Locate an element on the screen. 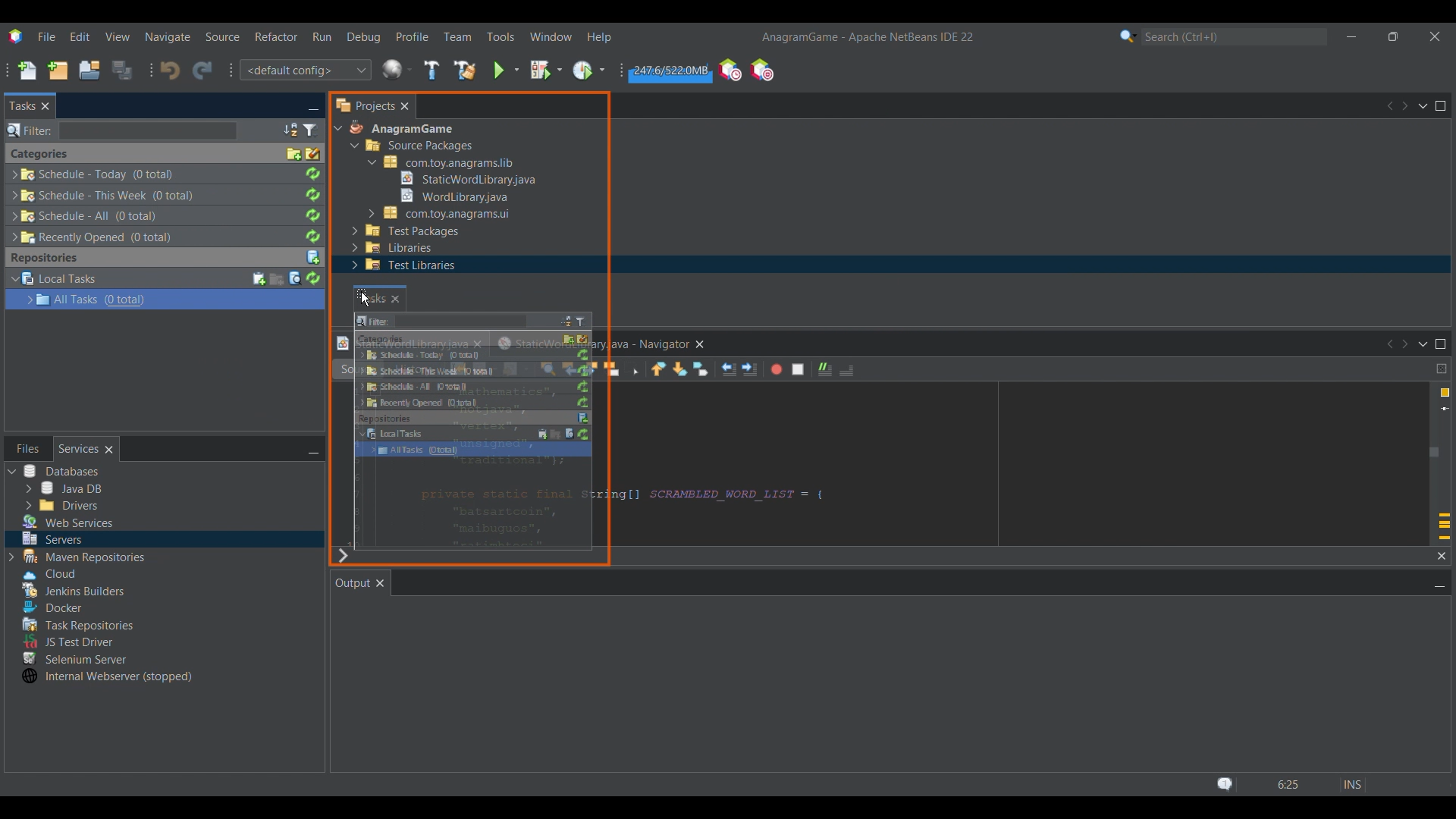 This screenshot has height=819, width=1456. cursor is located at coordinates (365, 300).